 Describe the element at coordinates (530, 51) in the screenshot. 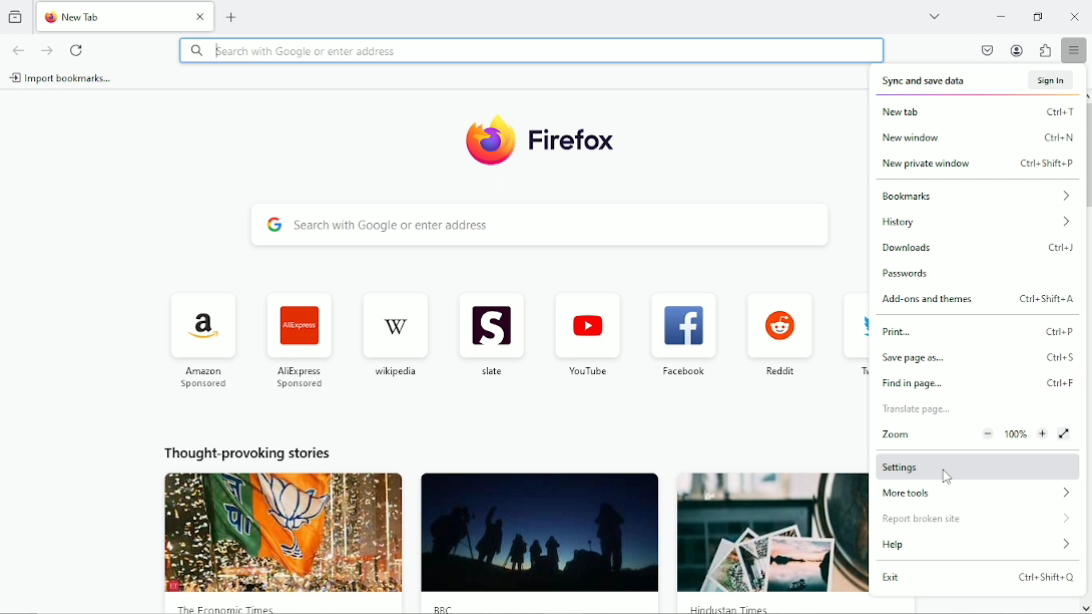

I see `search with Google or enter address` at that location.